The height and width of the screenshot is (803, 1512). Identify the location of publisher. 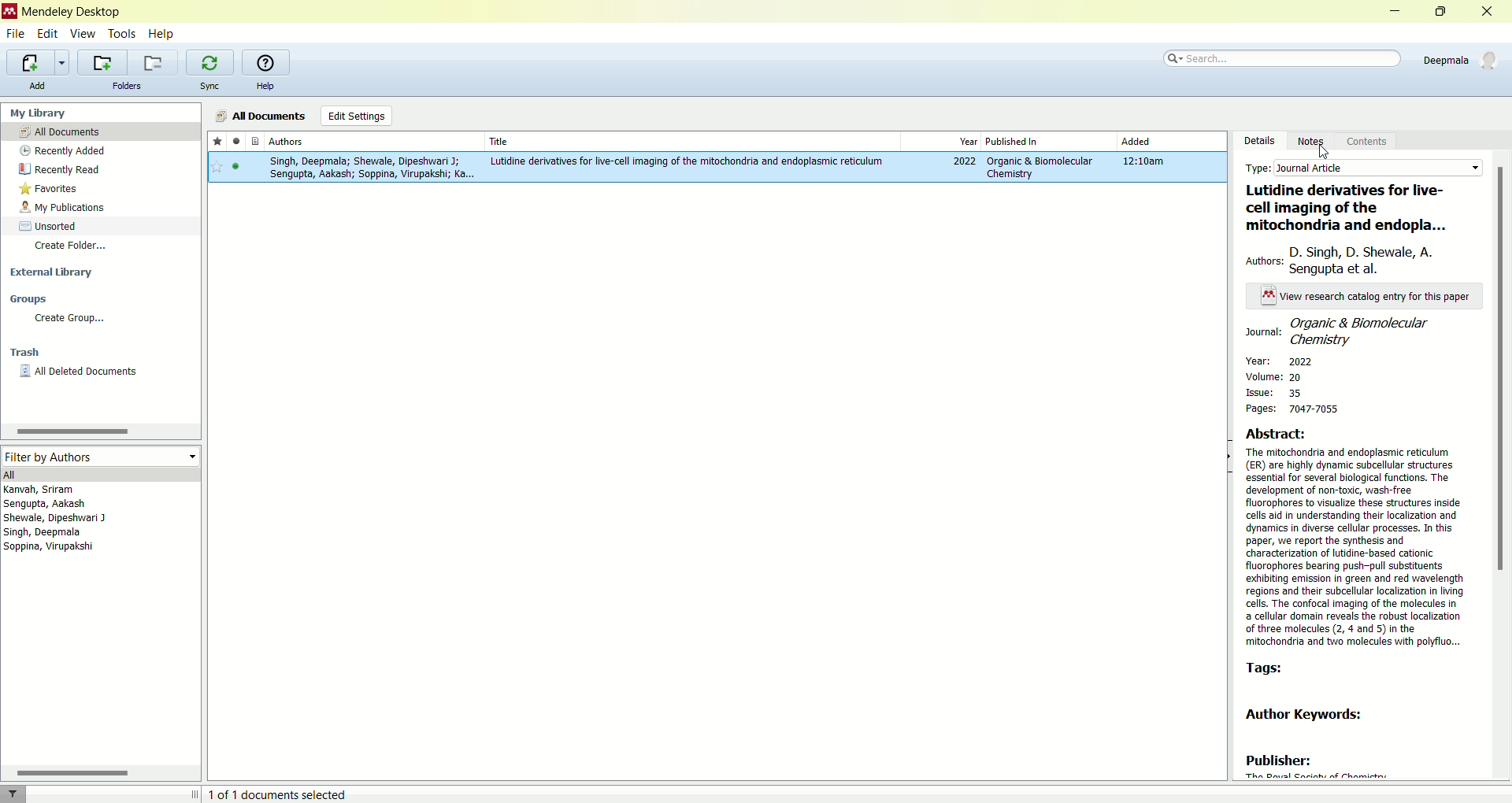
(1279, 757).